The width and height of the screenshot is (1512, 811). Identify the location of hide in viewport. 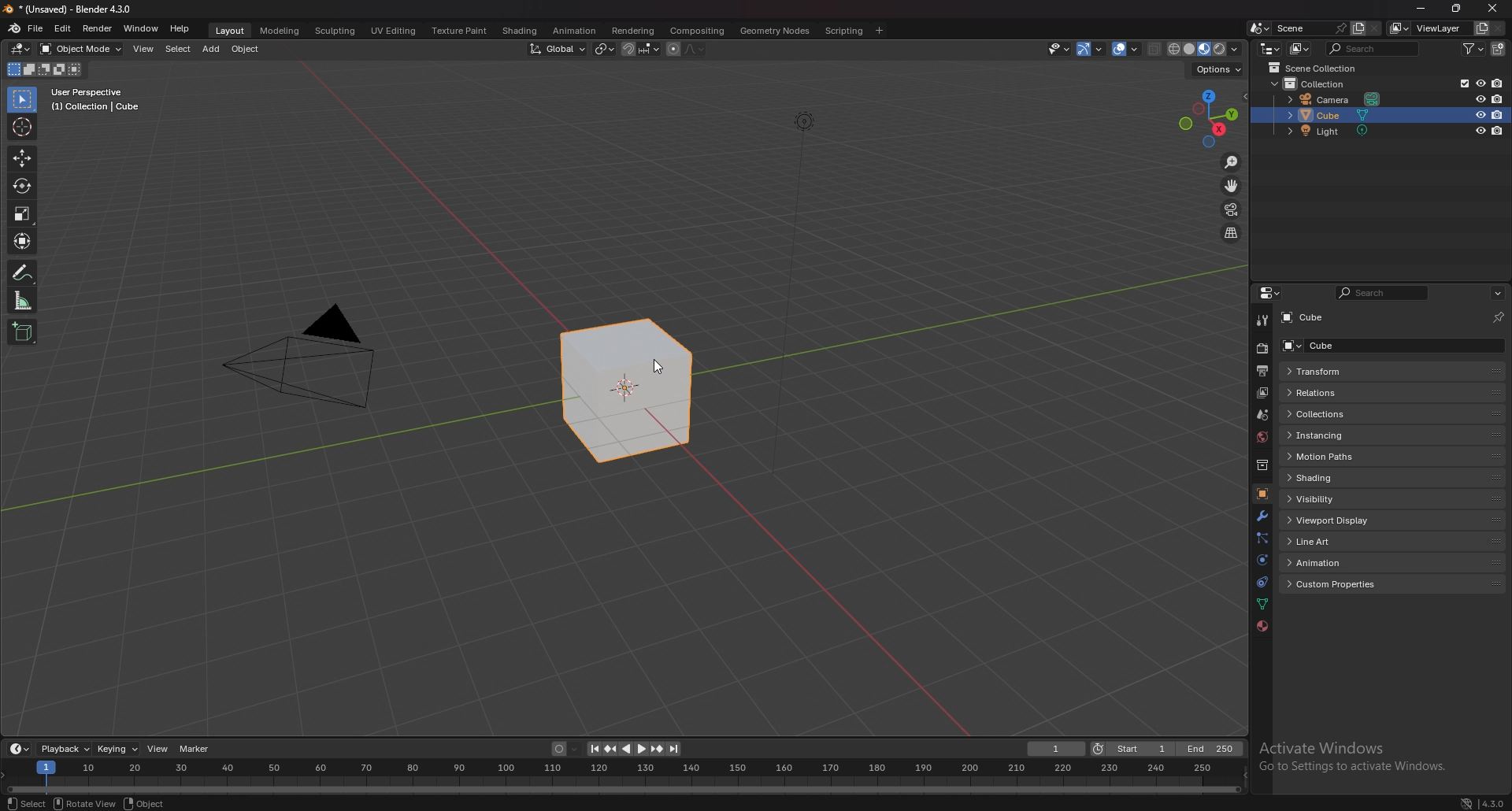
(1478, 131).